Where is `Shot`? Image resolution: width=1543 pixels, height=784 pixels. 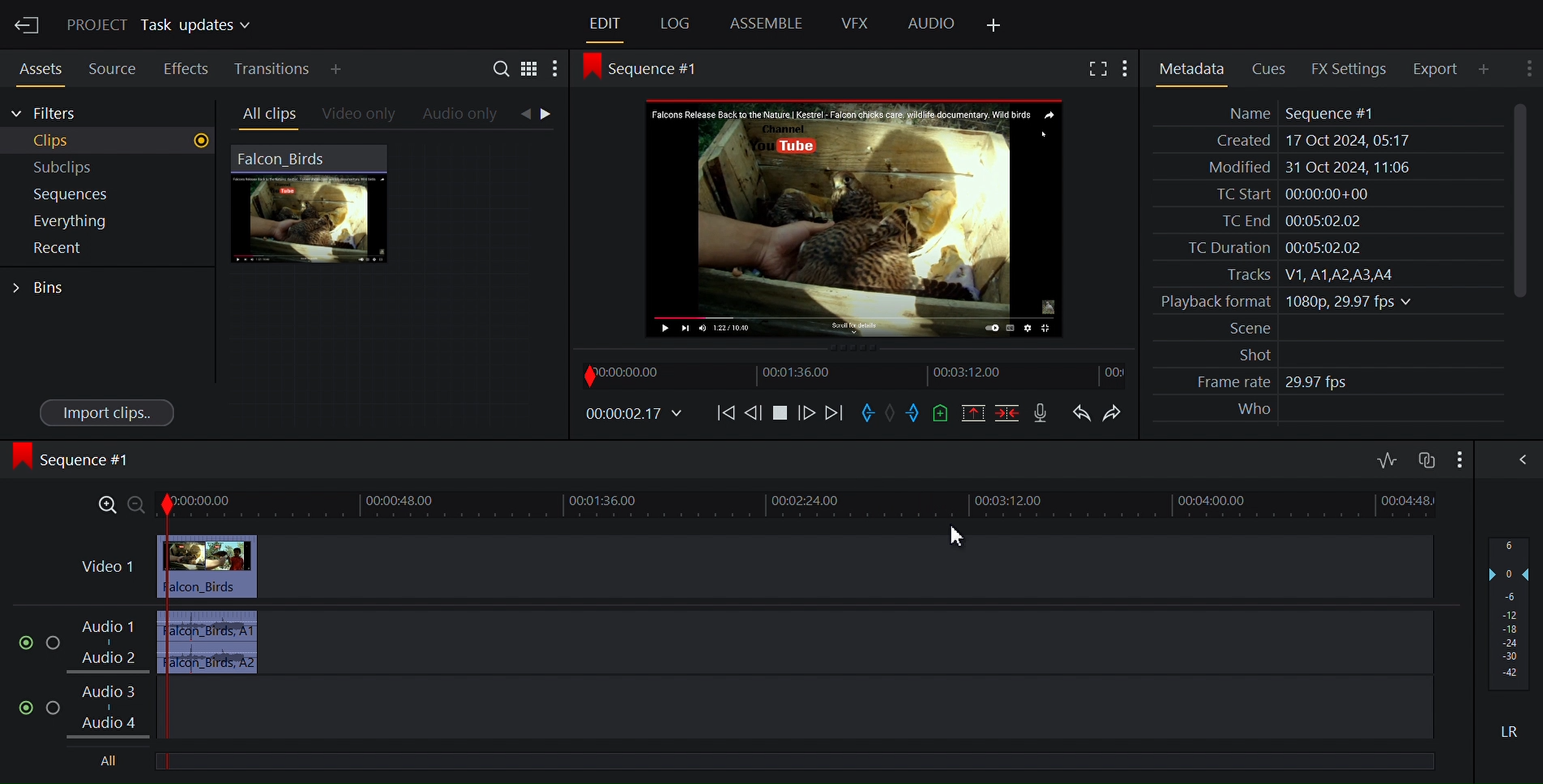
Shot is located at coordinates (1245, 355).